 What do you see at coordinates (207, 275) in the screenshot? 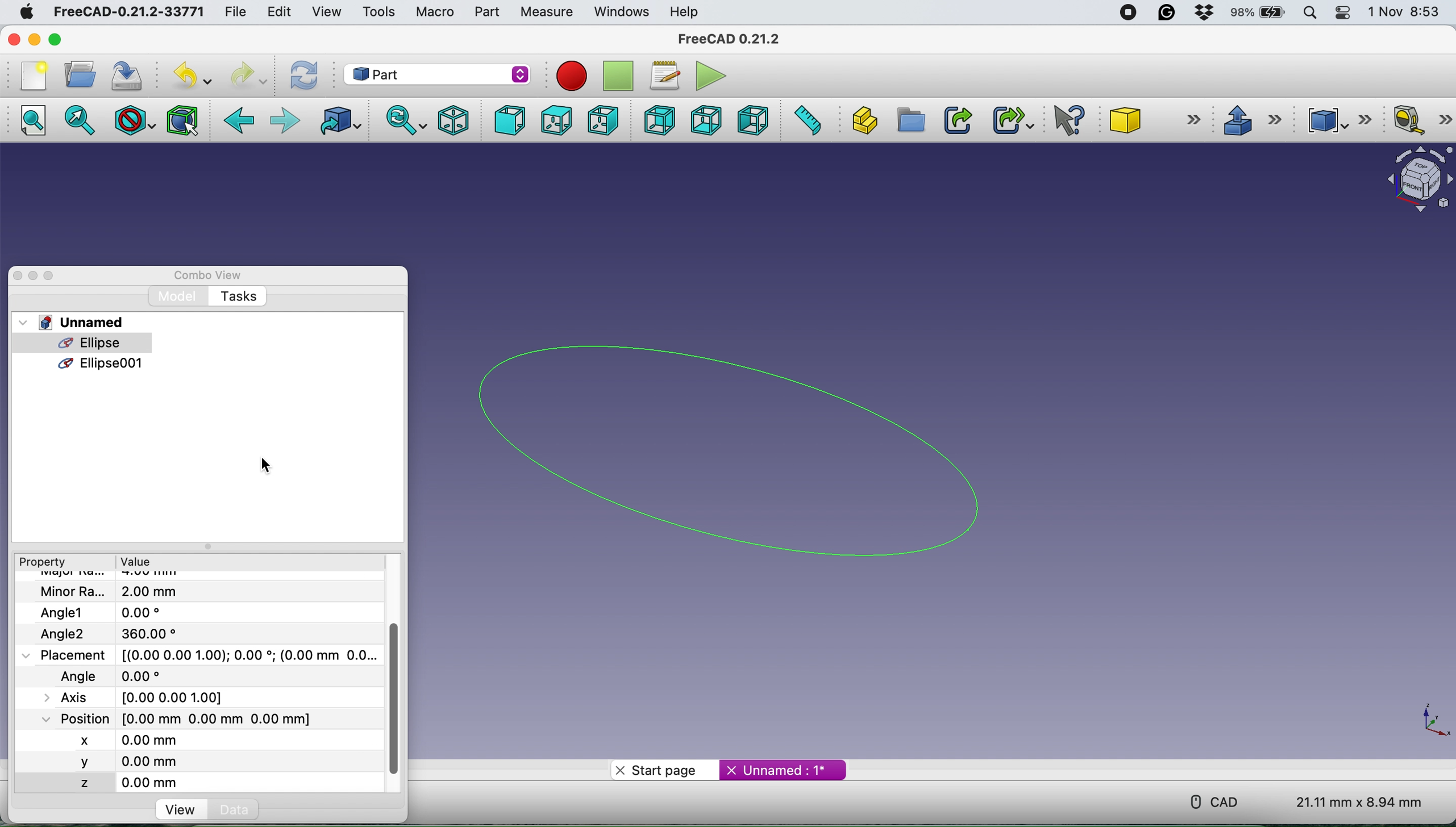
I see `combo view` at bounding box center [207, 275].